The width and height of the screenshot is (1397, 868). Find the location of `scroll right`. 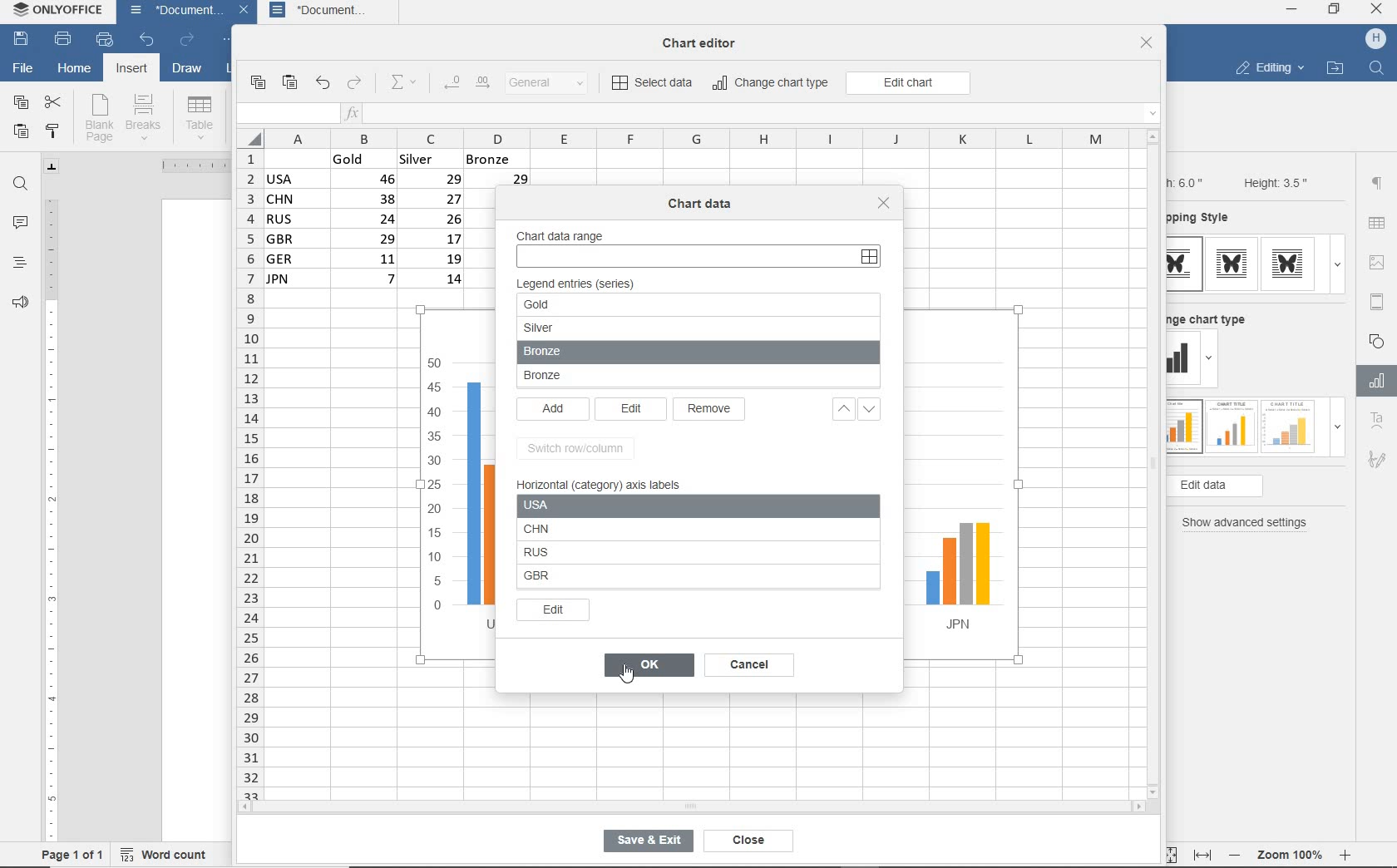

scroll right is located at coordinates (1142, 807).